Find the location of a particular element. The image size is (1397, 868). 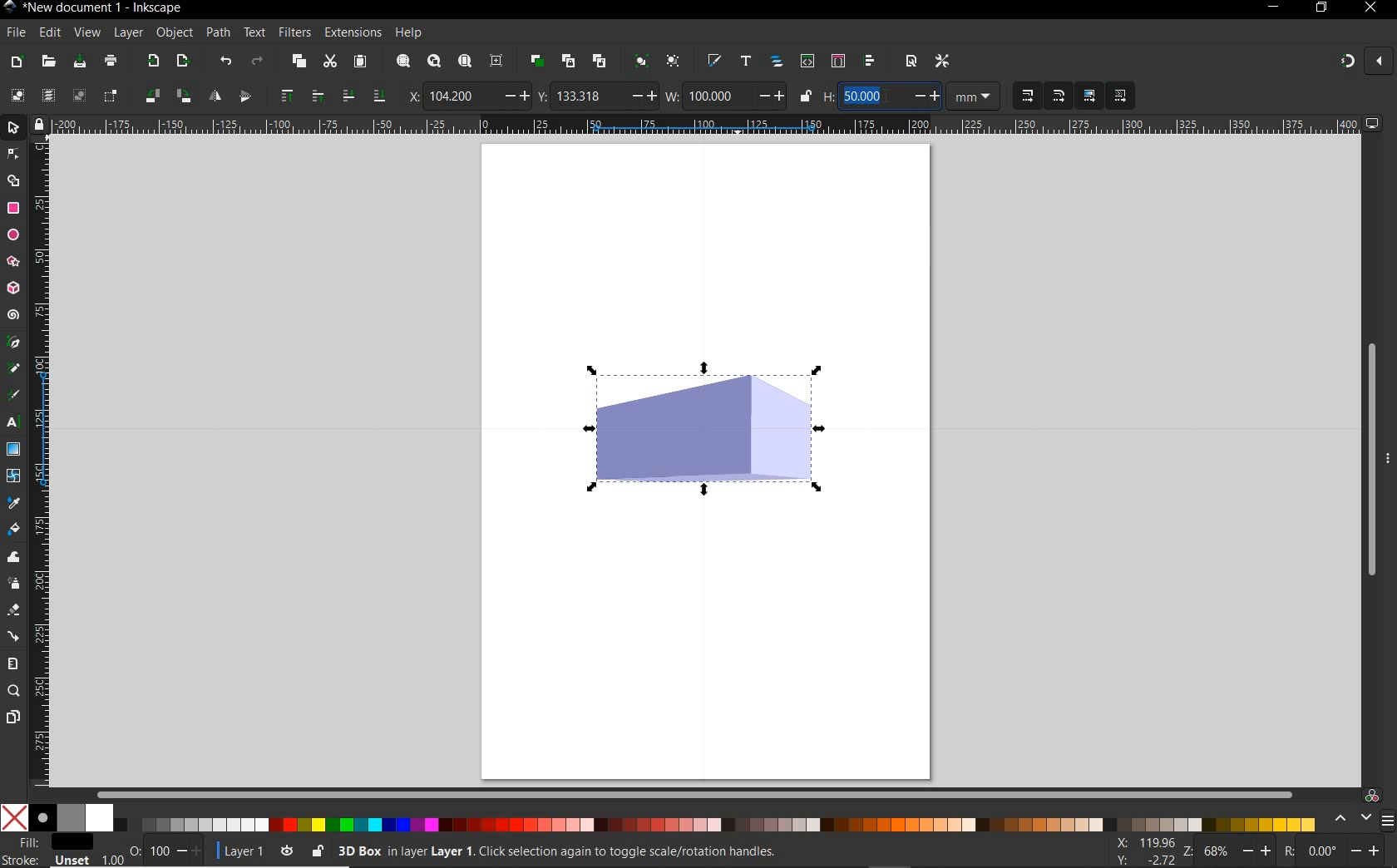

paint bucket tool is located at coordinates (15, 530).